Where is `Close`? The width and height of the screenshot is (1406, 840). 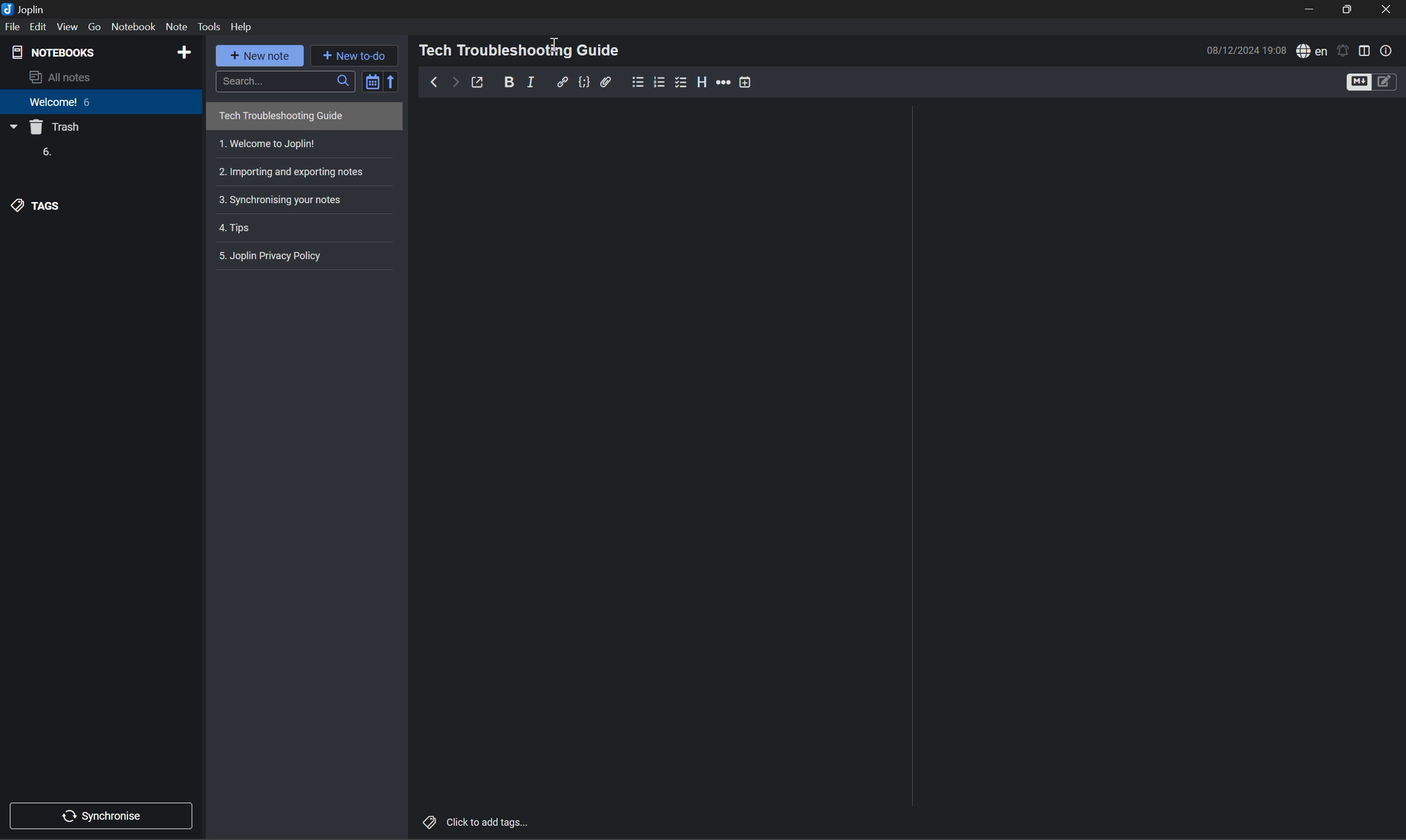
Close is located at coordinates (1388, 11).